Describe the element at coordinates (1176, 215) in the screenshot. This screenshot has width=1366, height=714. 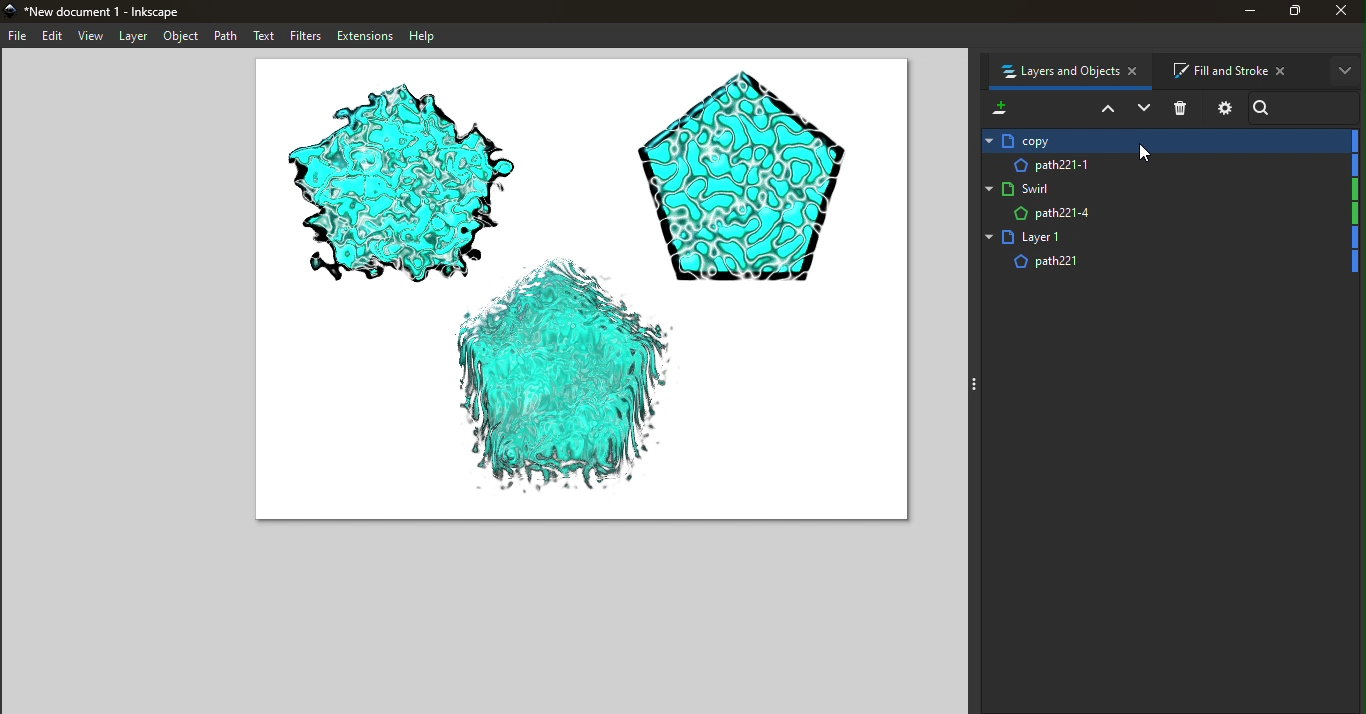
I see `Layer` at that location.